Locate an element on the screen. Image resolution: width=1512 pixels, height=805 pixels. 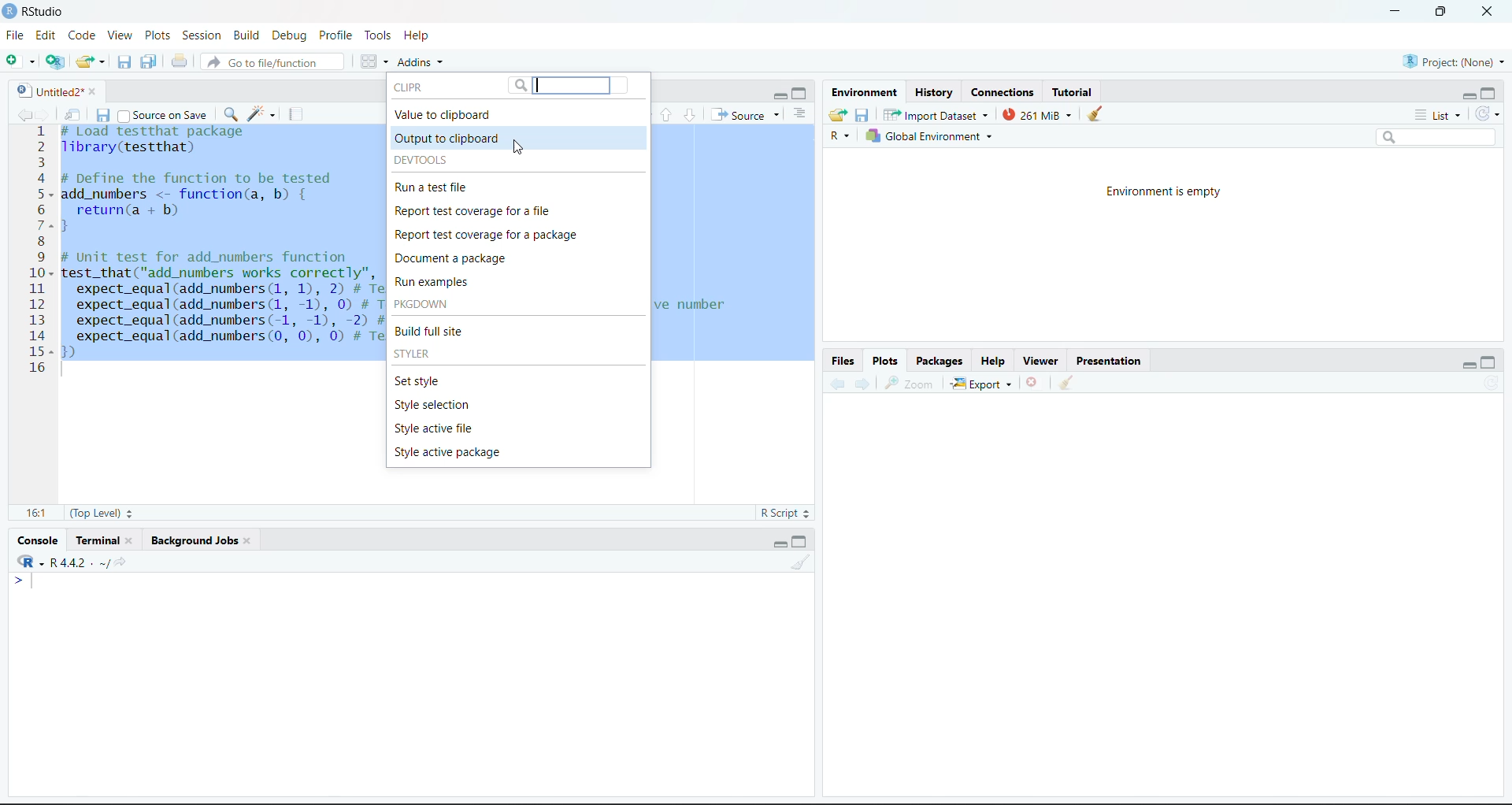
Print is located at coordinates (180, 61).